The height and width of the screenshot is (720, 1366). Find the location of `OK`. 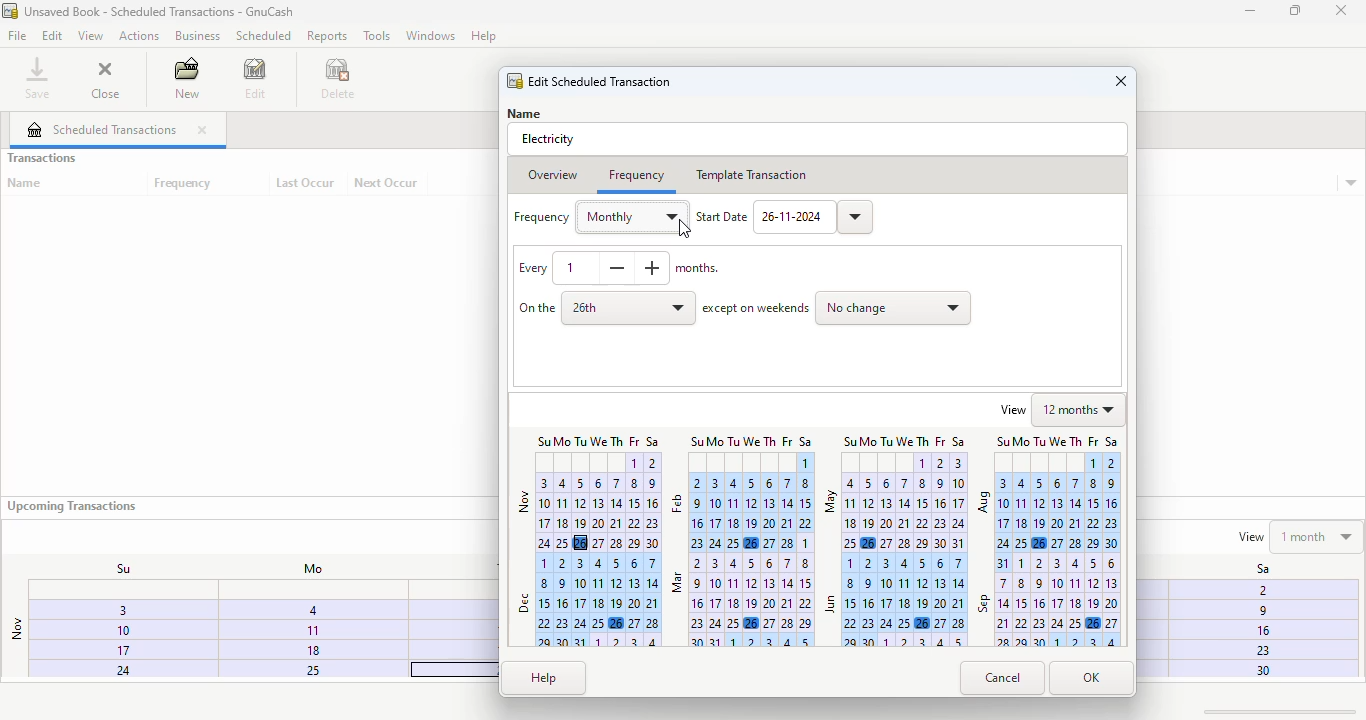

OK is located at coordinates (1092, 679).